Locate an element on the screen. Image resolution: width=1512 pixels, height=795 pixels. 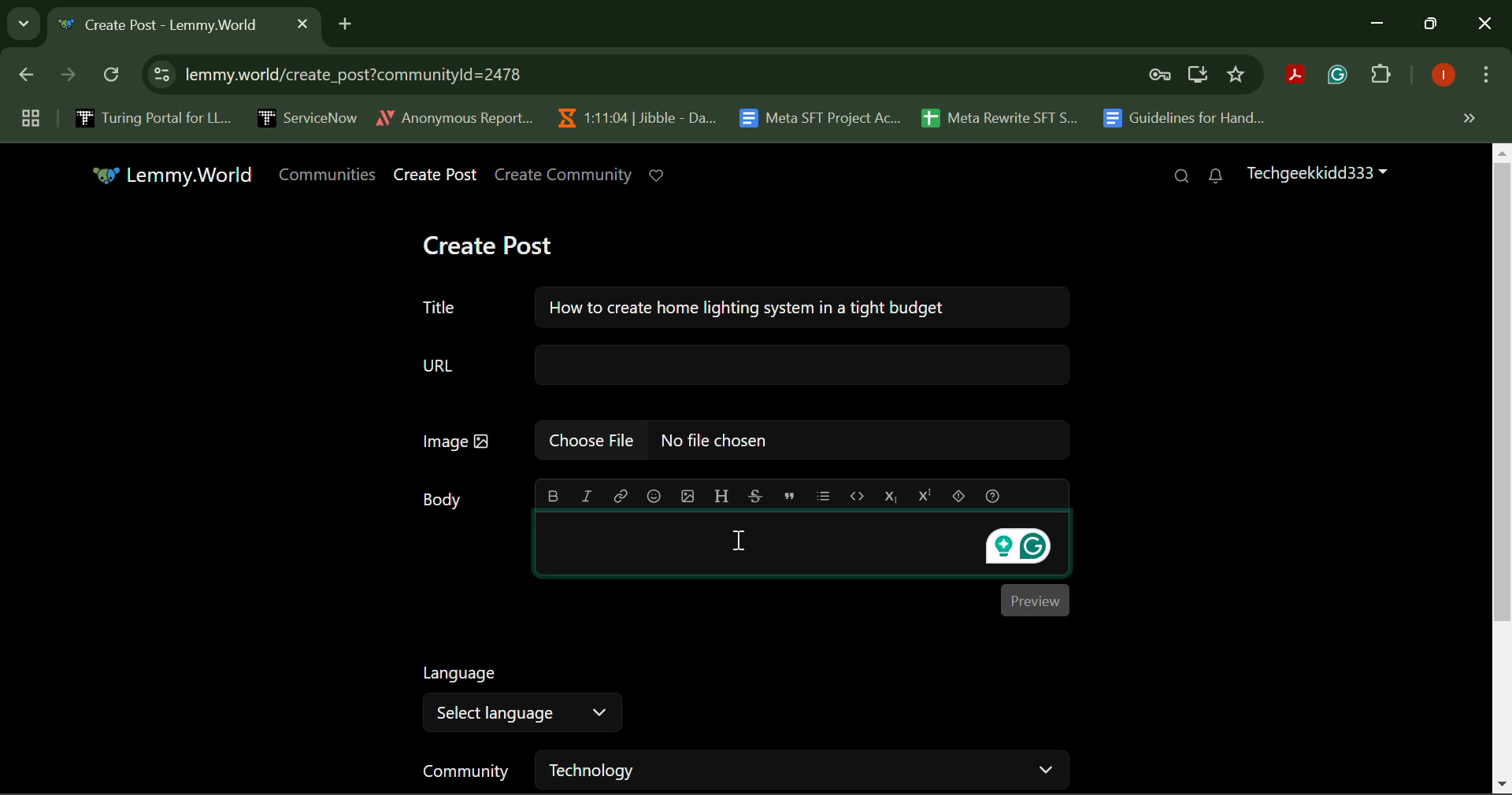
Browser Extension is located at coordinates (1341, 76).